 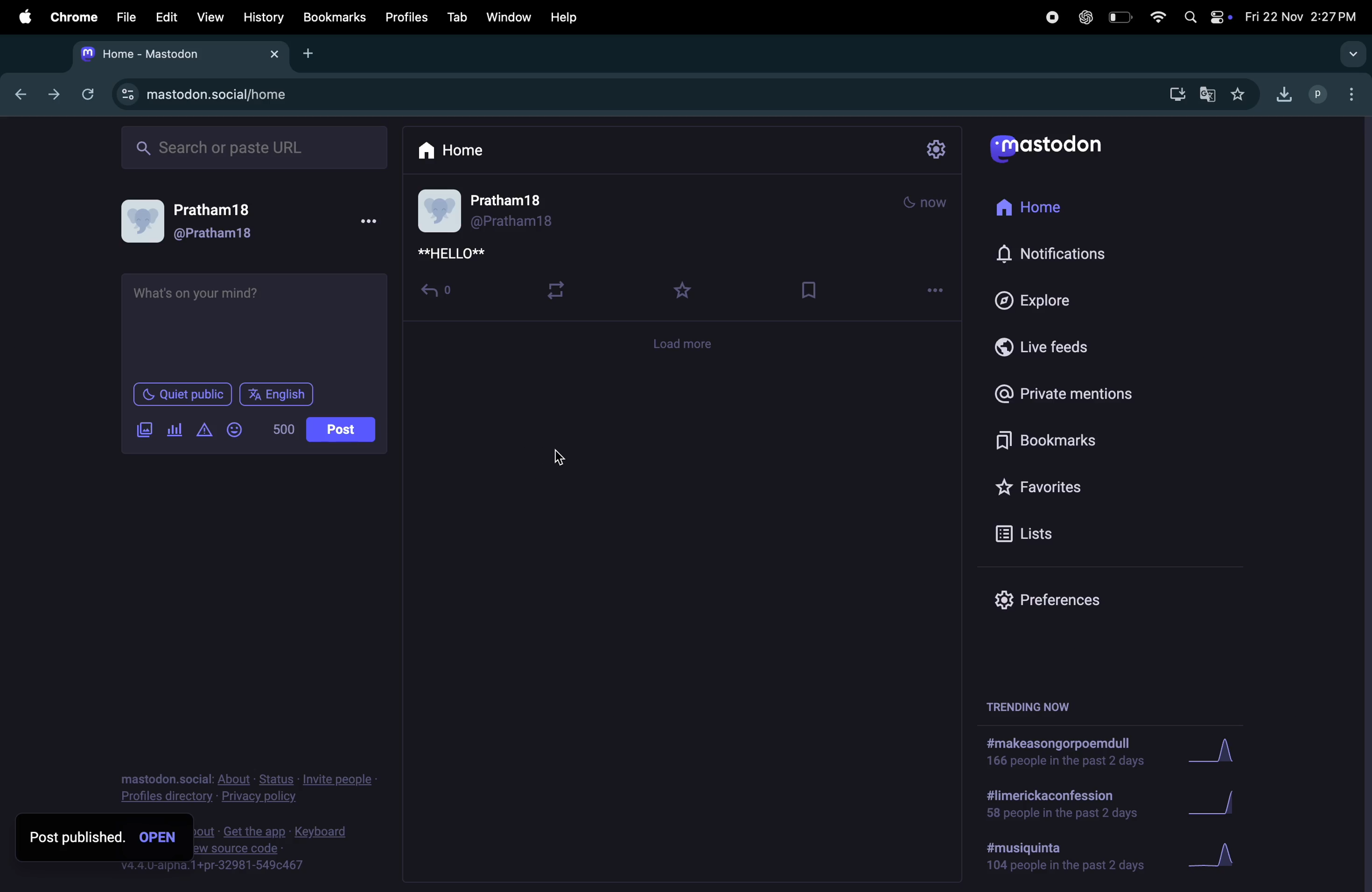 What do you see at coordinates (372, 223) in the screenshot?
I see `more ` at bounding box center [372, 223].